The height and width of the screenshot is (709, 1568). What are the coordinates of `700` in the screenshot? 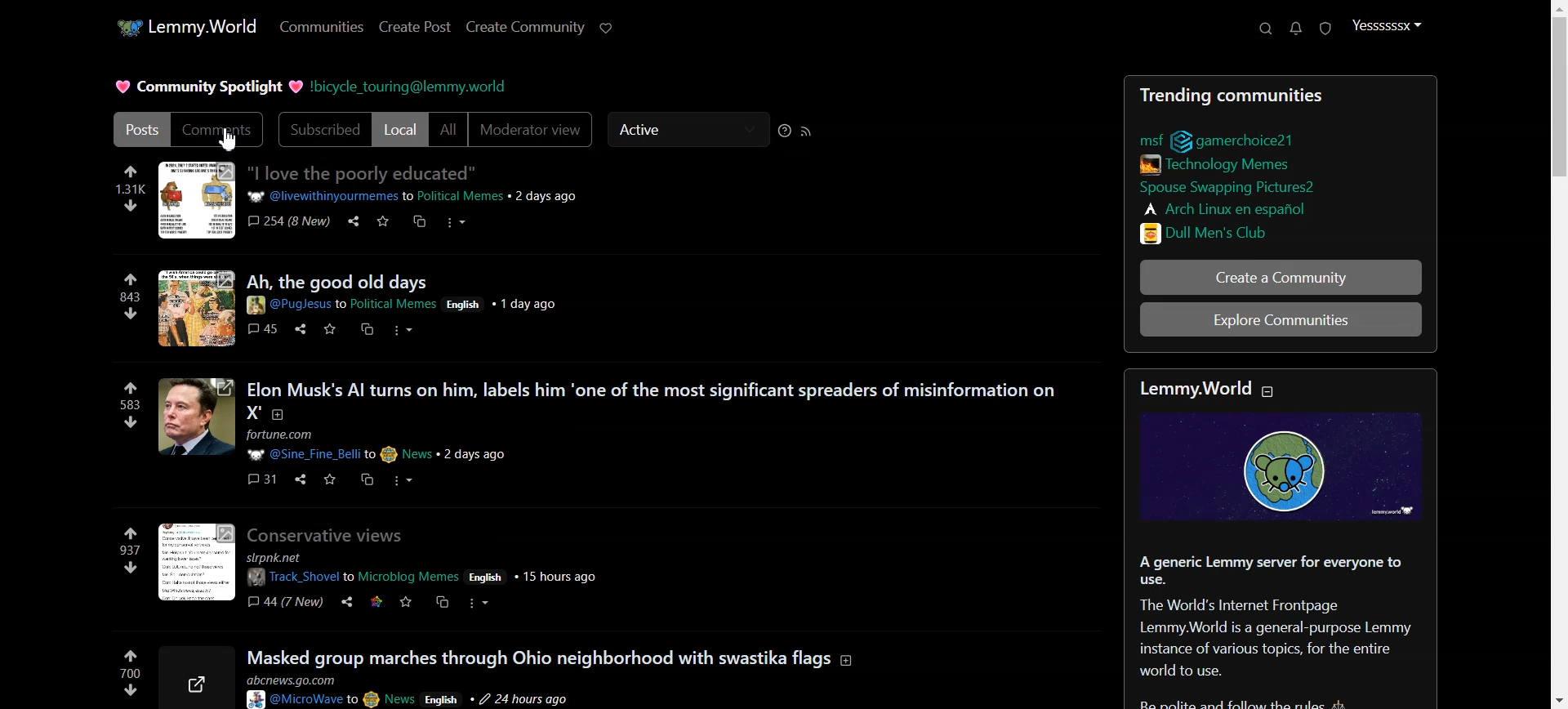 It's located at (131, 671).